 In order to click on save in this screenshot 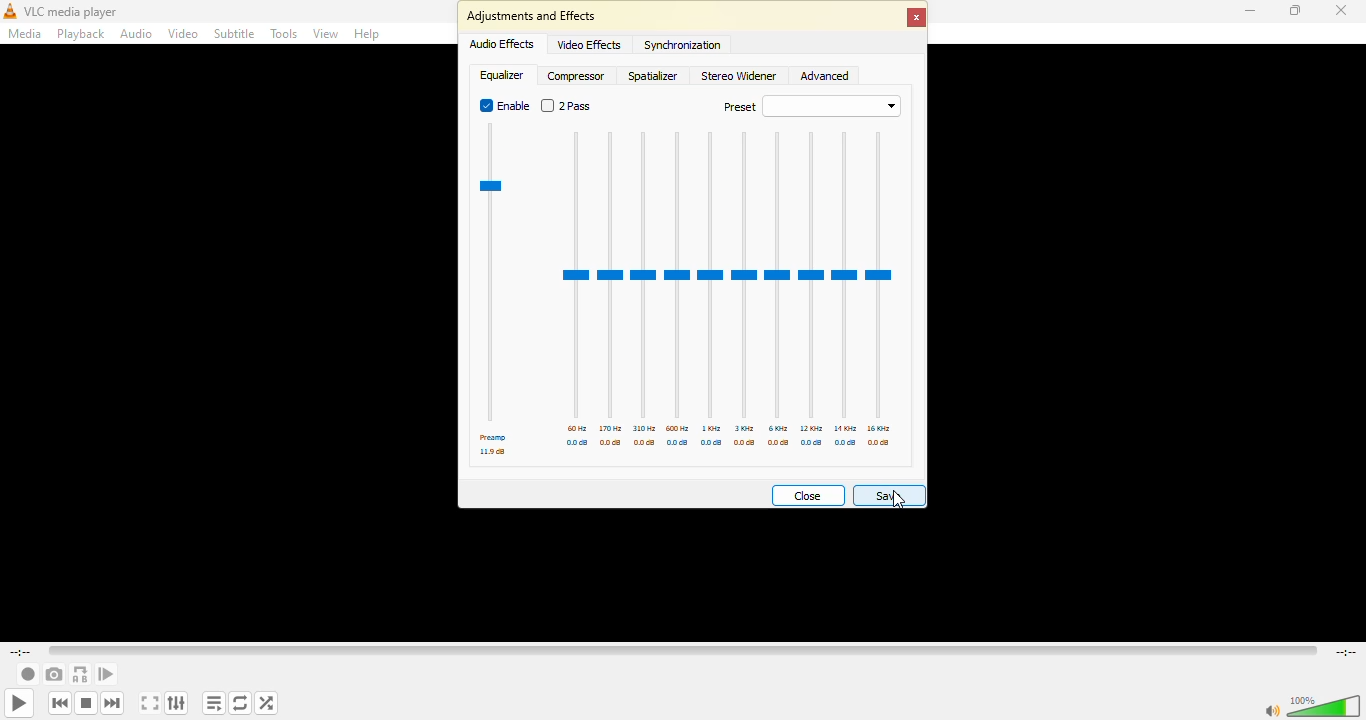, I will do `click(908, 499)`.